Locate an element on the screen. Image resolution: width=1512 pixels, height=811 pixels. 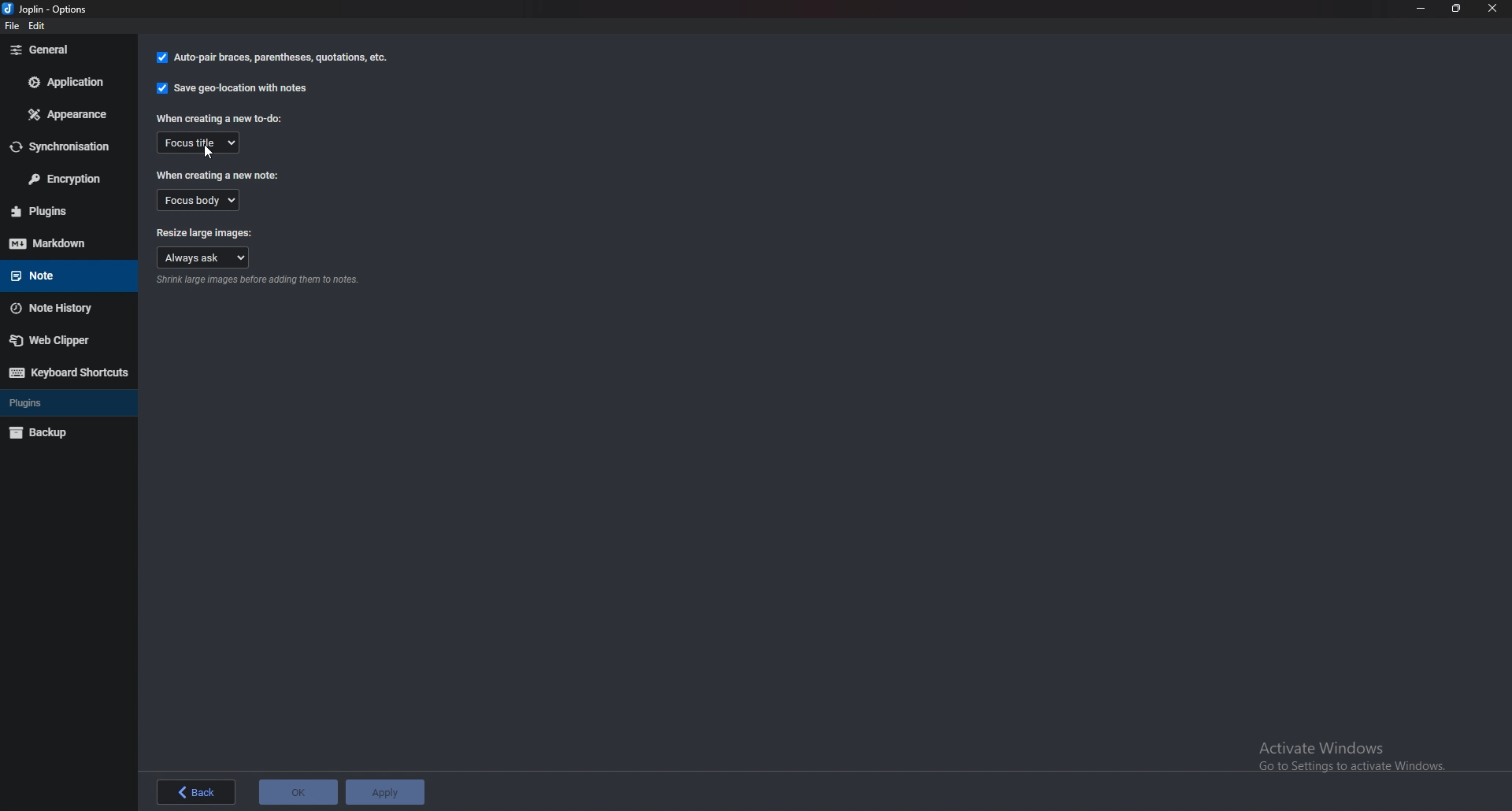
back is located at coordinates (197, 790).